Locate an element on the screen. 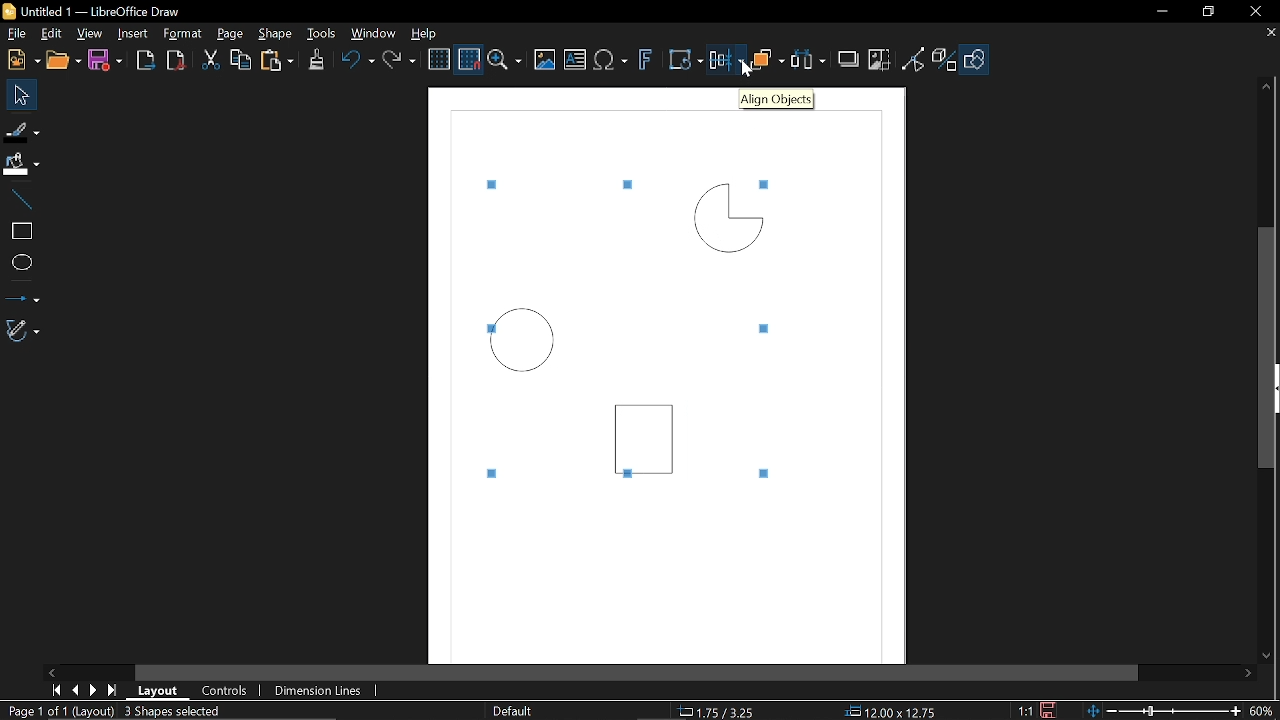 The image size is (1280, 720). Tiny squares sound selected objects is located at coordinates (628, 477).